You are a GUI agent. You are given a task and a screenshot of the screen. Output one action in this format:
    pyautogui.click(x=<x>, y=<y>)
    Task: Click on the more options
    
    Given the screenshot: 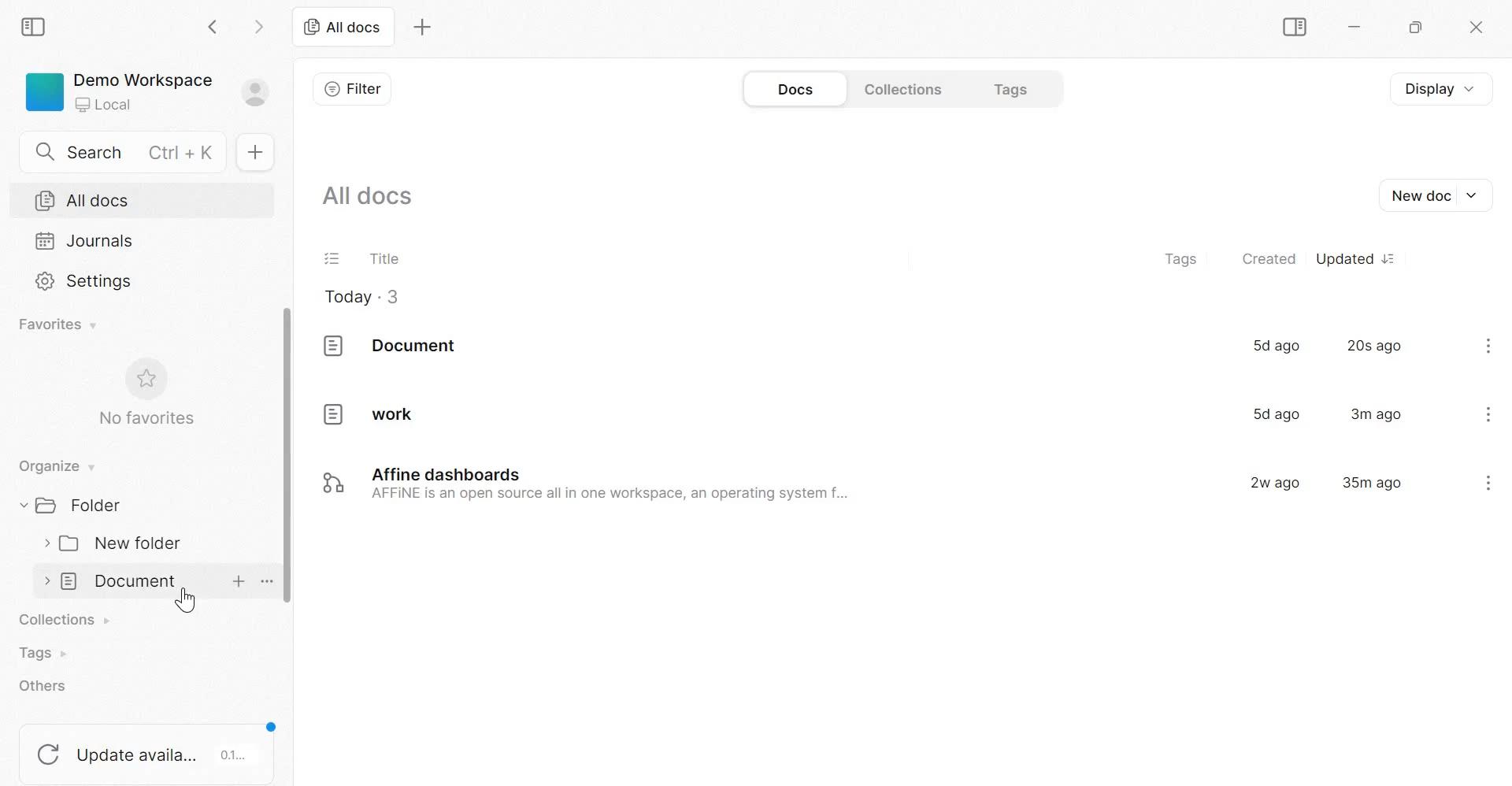 What is the action you would take?
    pyautogui.click(x=265, y=580)
    